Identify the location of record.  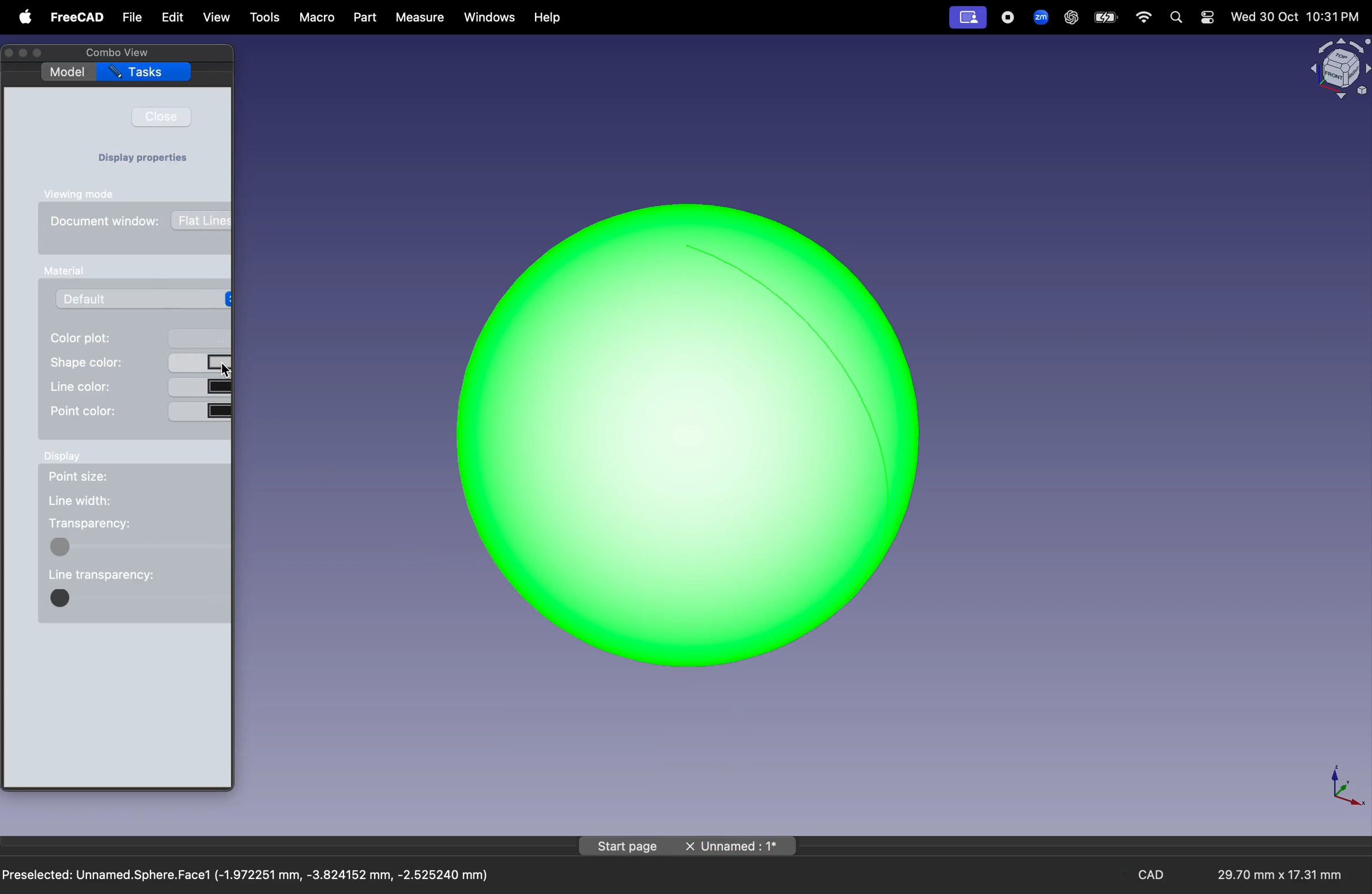
(1009, 17).